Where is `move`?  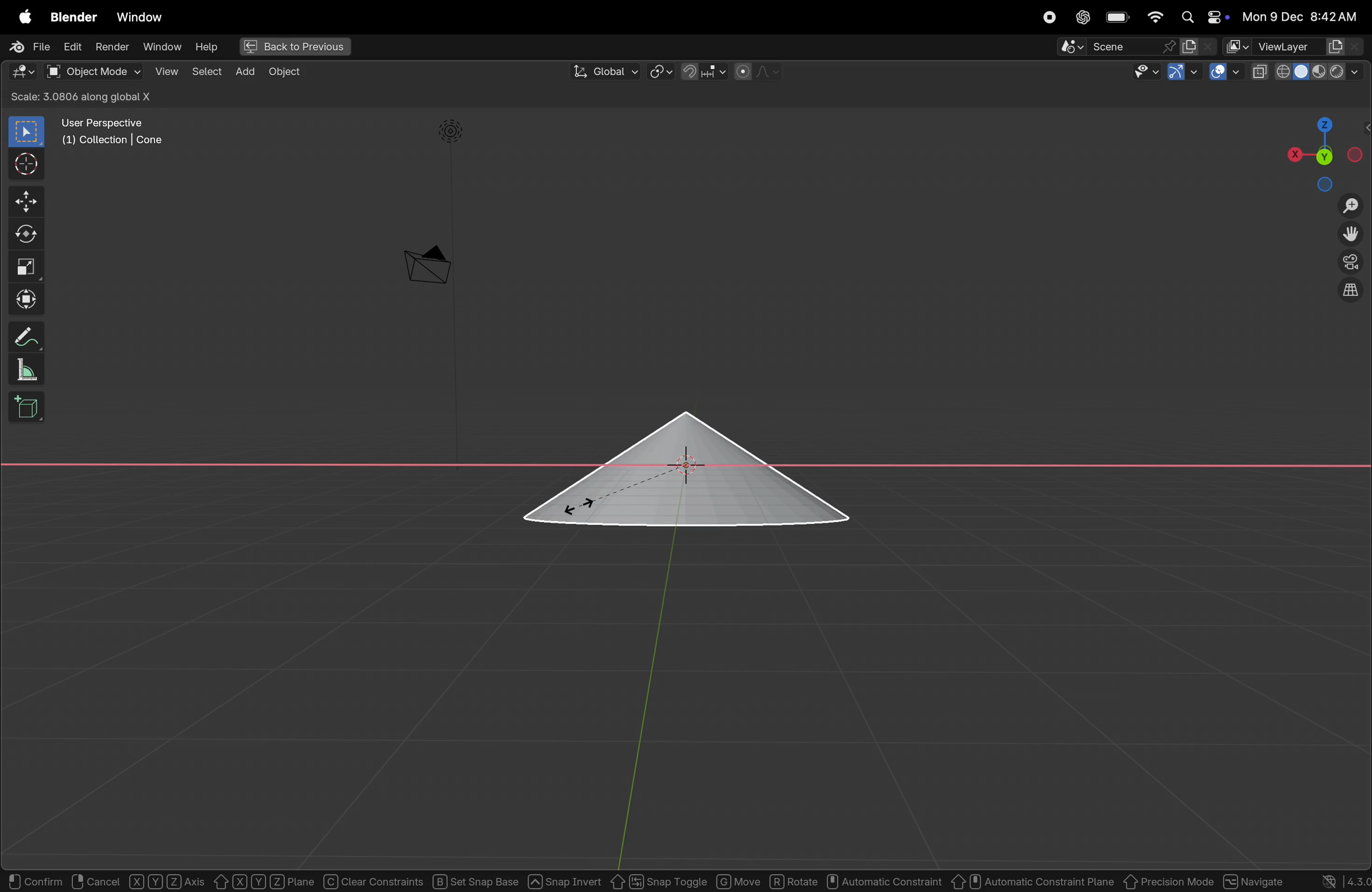
move is located at coordinates (739, 881).